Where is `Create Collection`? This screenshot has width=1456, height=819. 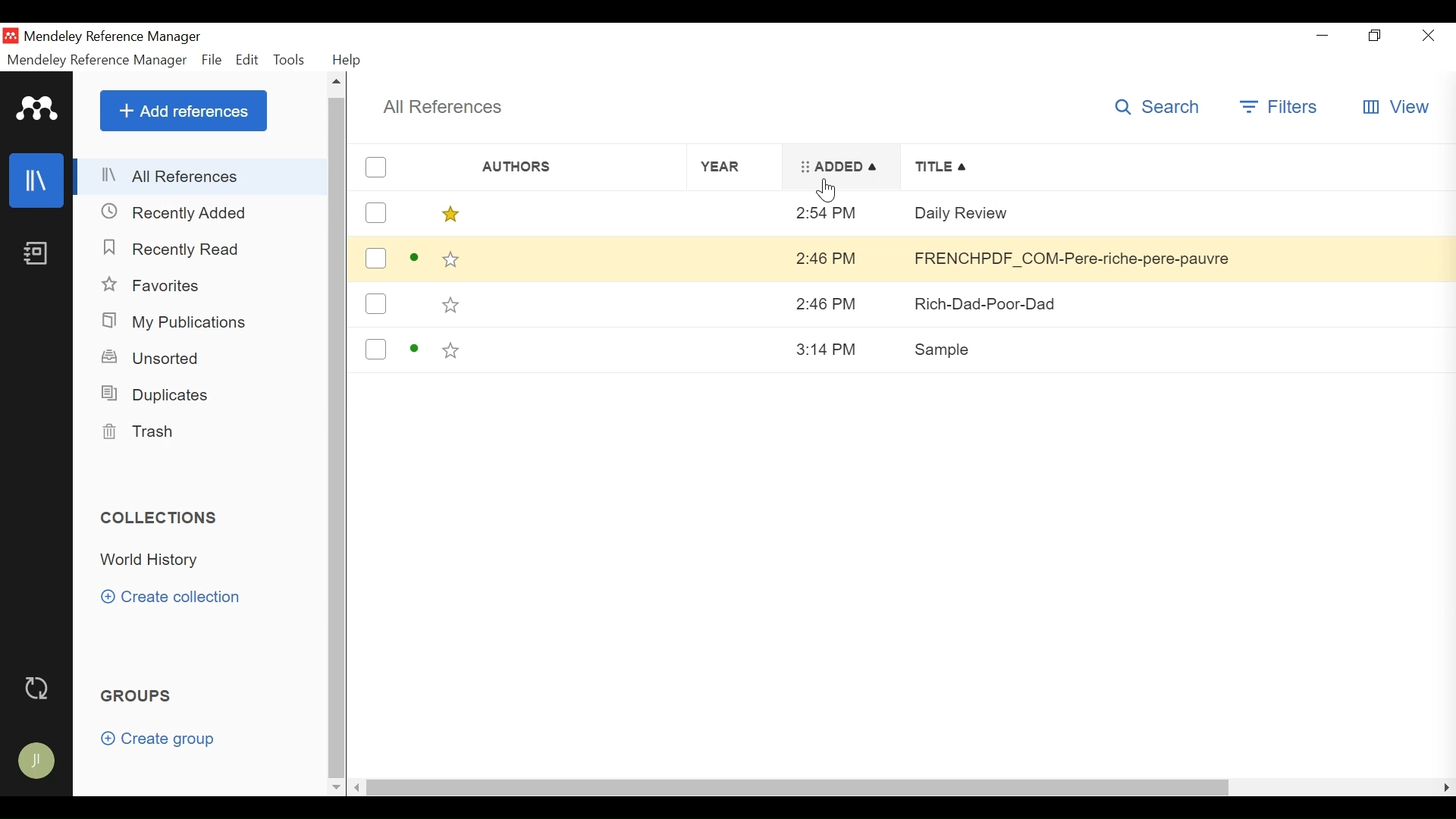
Create Collection is located at coordinates (176, 597).